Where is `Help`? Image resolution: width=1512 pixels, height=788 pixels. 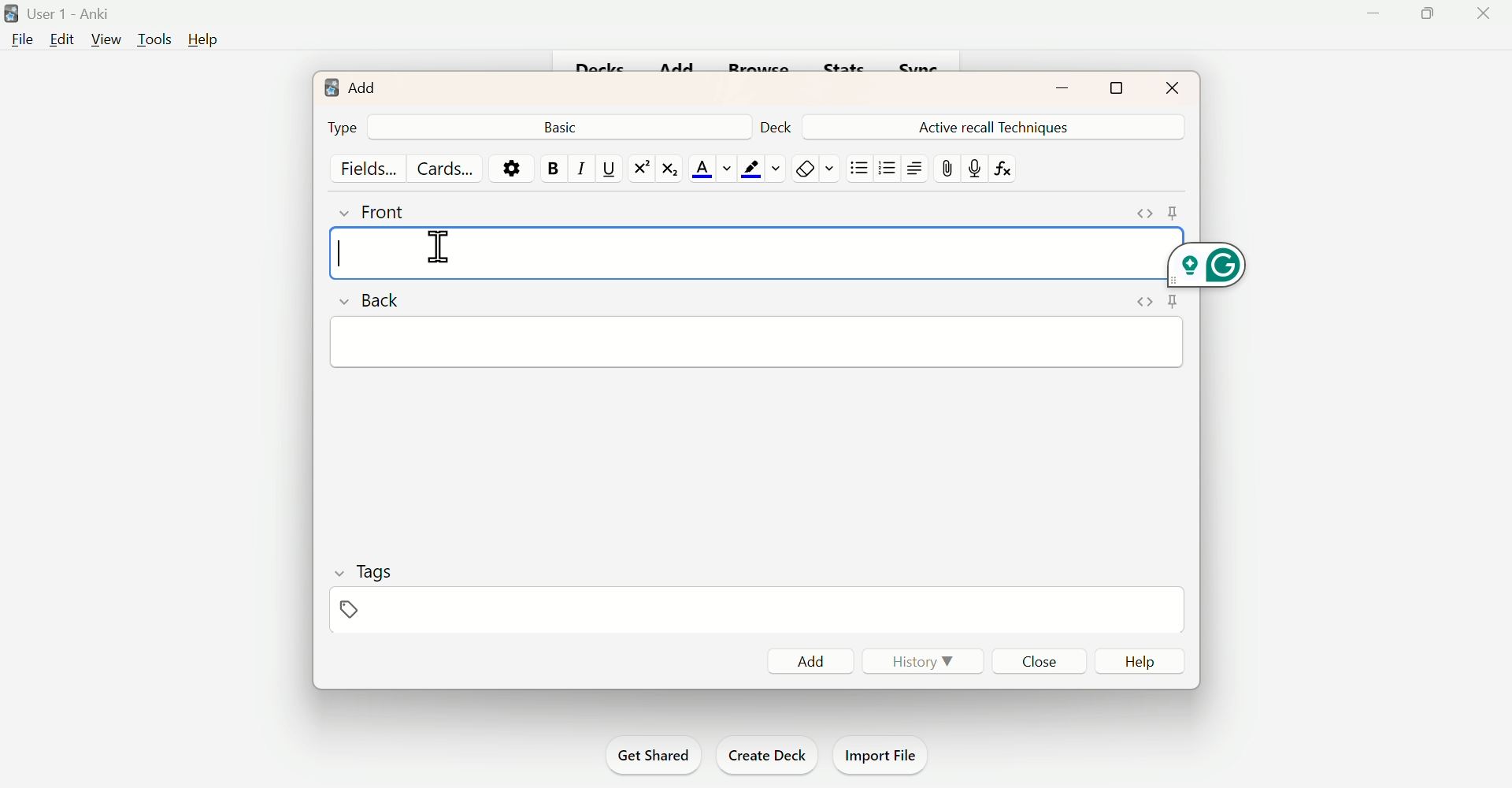
Help is located at coordinates (204, 41).